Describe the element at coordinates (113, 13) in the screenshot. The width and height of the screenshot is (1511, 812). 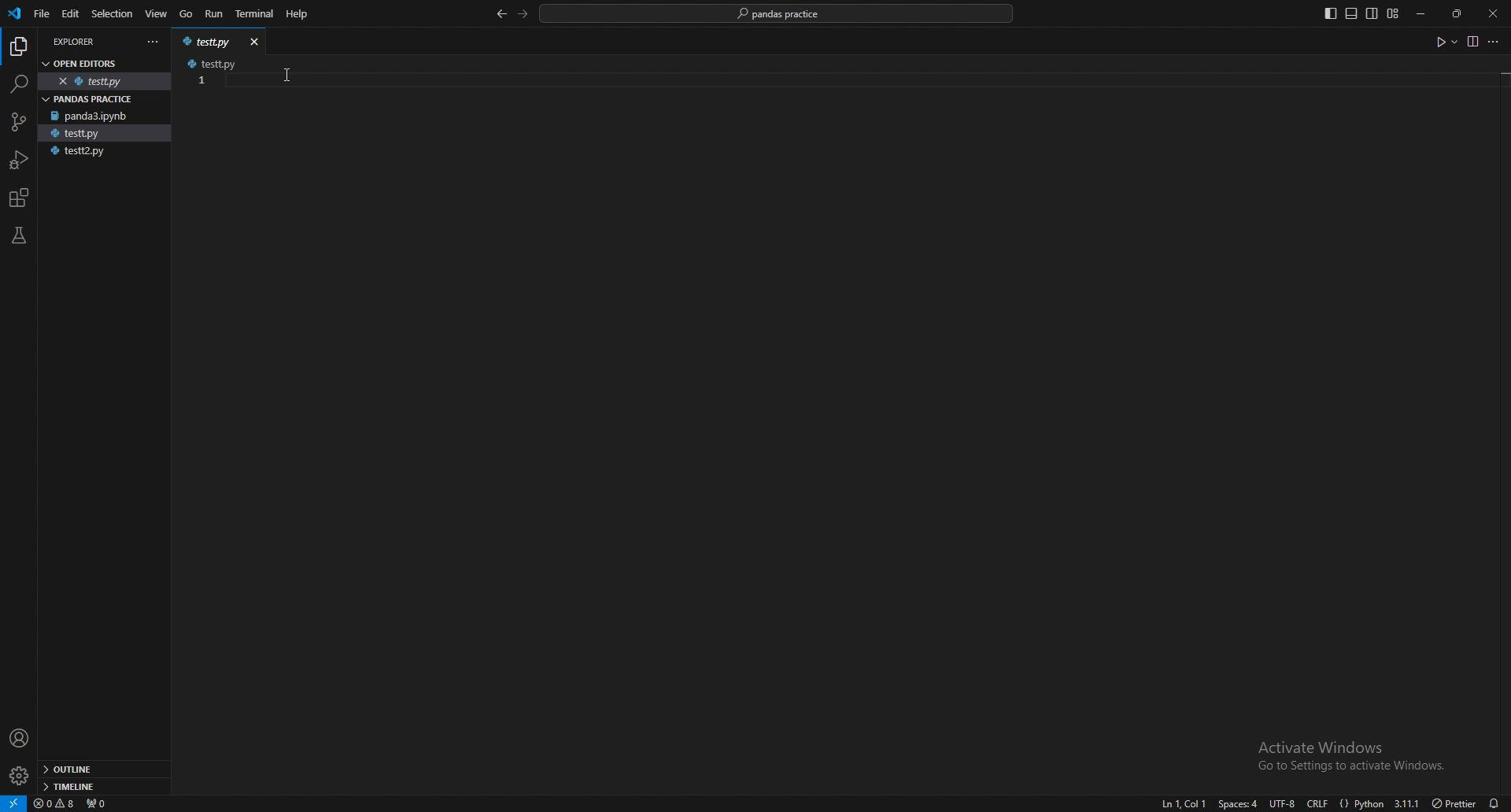
I see `selection` at that location.